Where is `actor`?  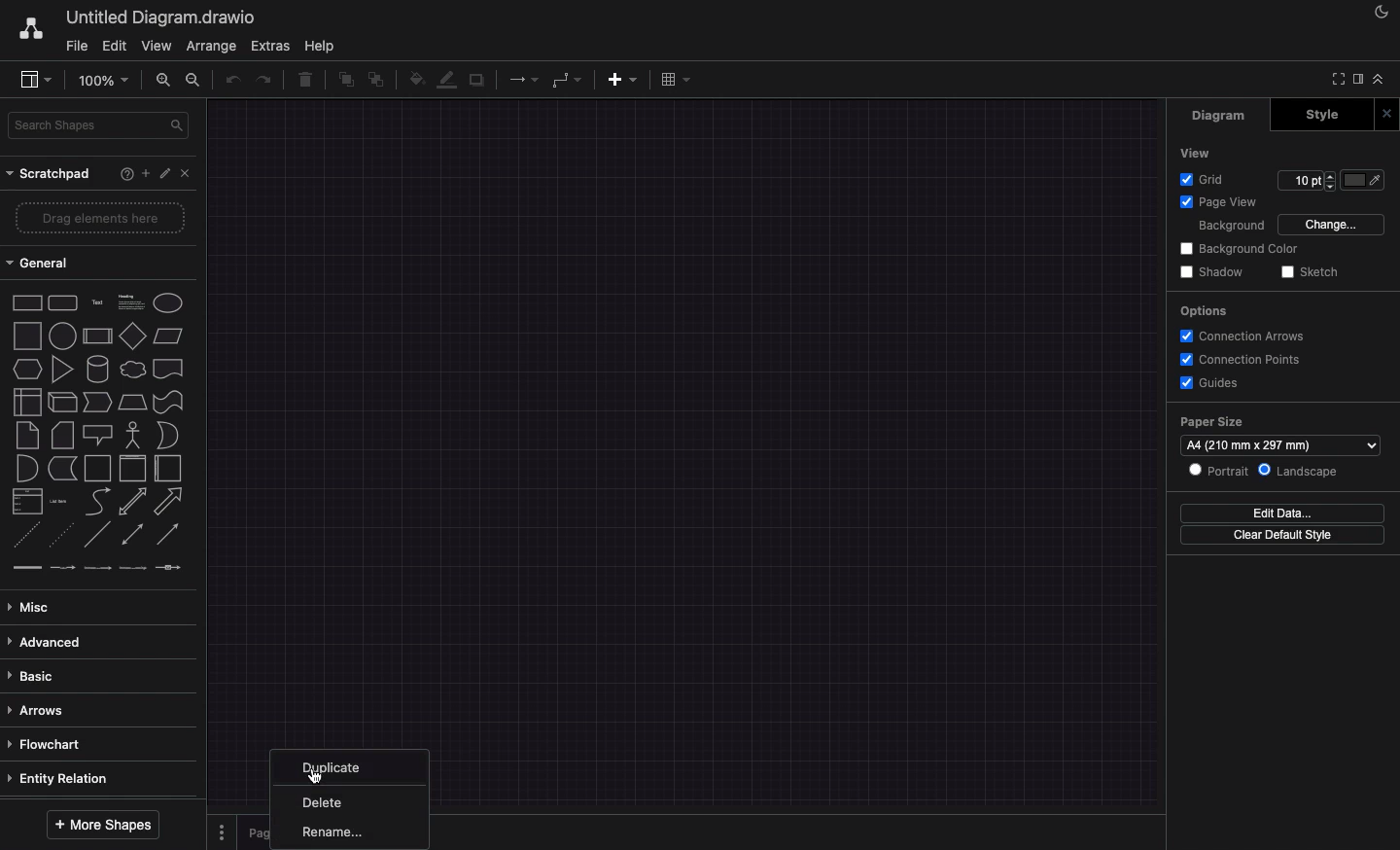 actor is located at coordinates (132, 436).